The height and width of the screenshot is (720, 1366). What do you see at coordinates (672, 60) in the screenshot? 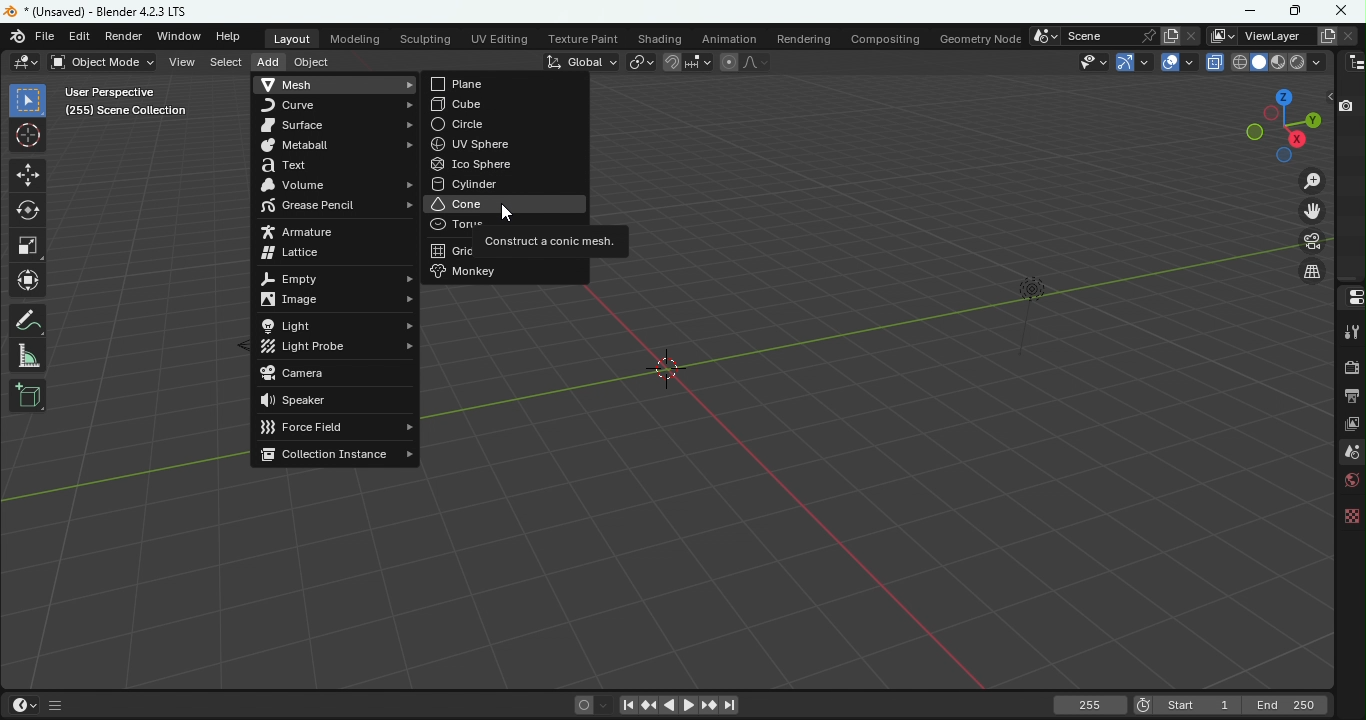
I see `Snap` at bounding box center [672, 60].